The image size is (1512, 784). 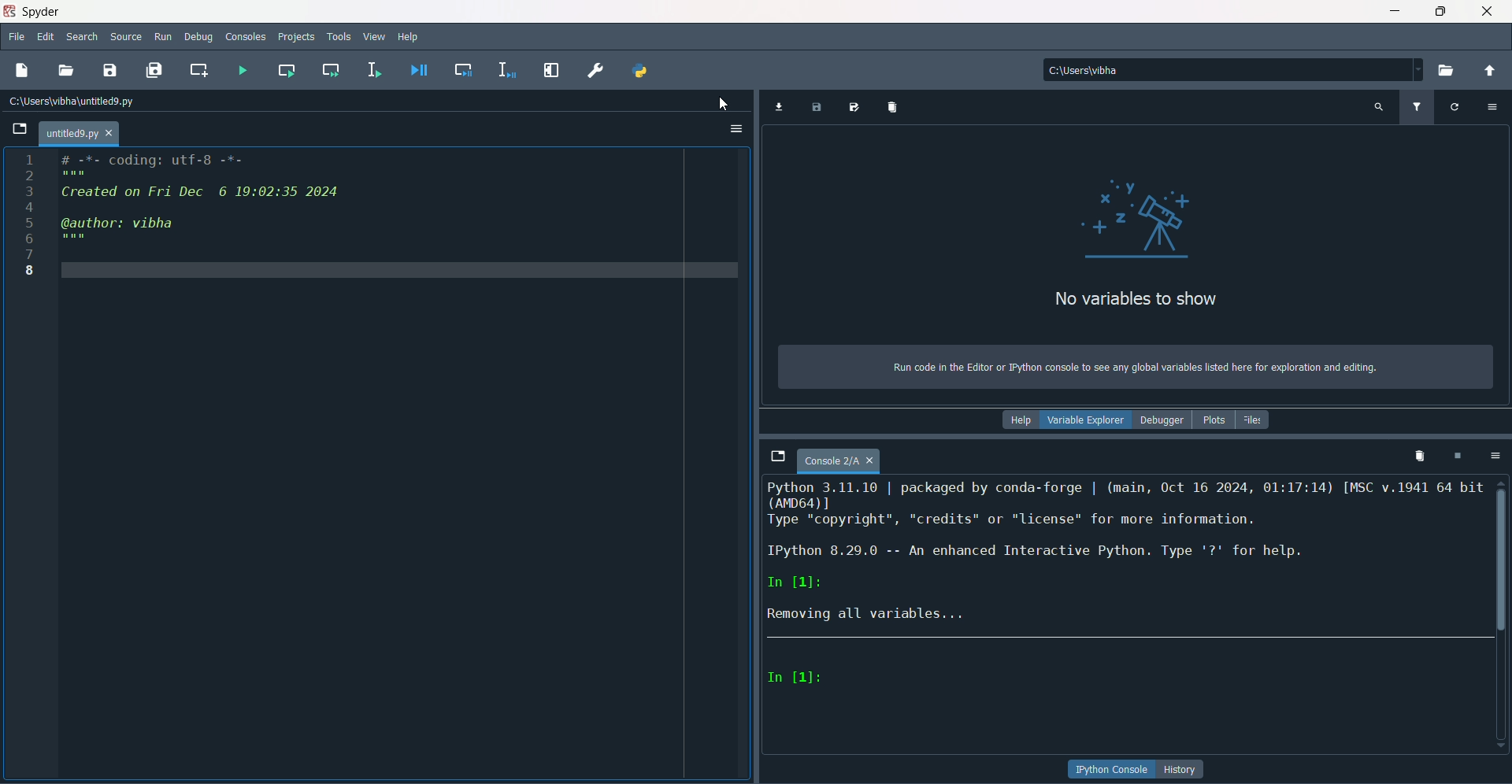 What do you see at coordinates (552, 70) in the screenshot?
I see `maximize current pane` at bounding box center [552, 70].